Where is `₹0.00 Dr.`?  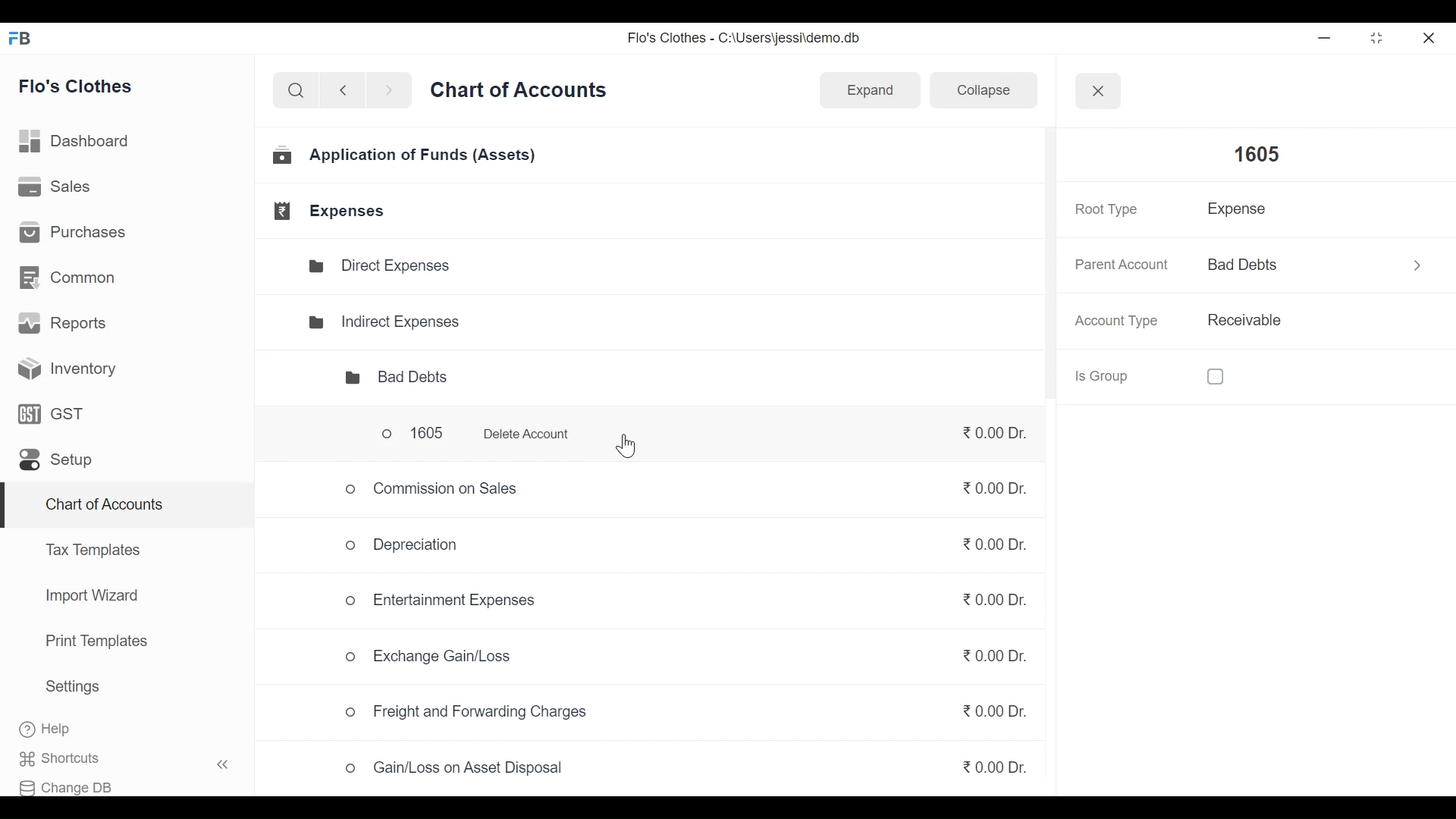 ₹0.00 Dr. is located at coordinates (990, 490).